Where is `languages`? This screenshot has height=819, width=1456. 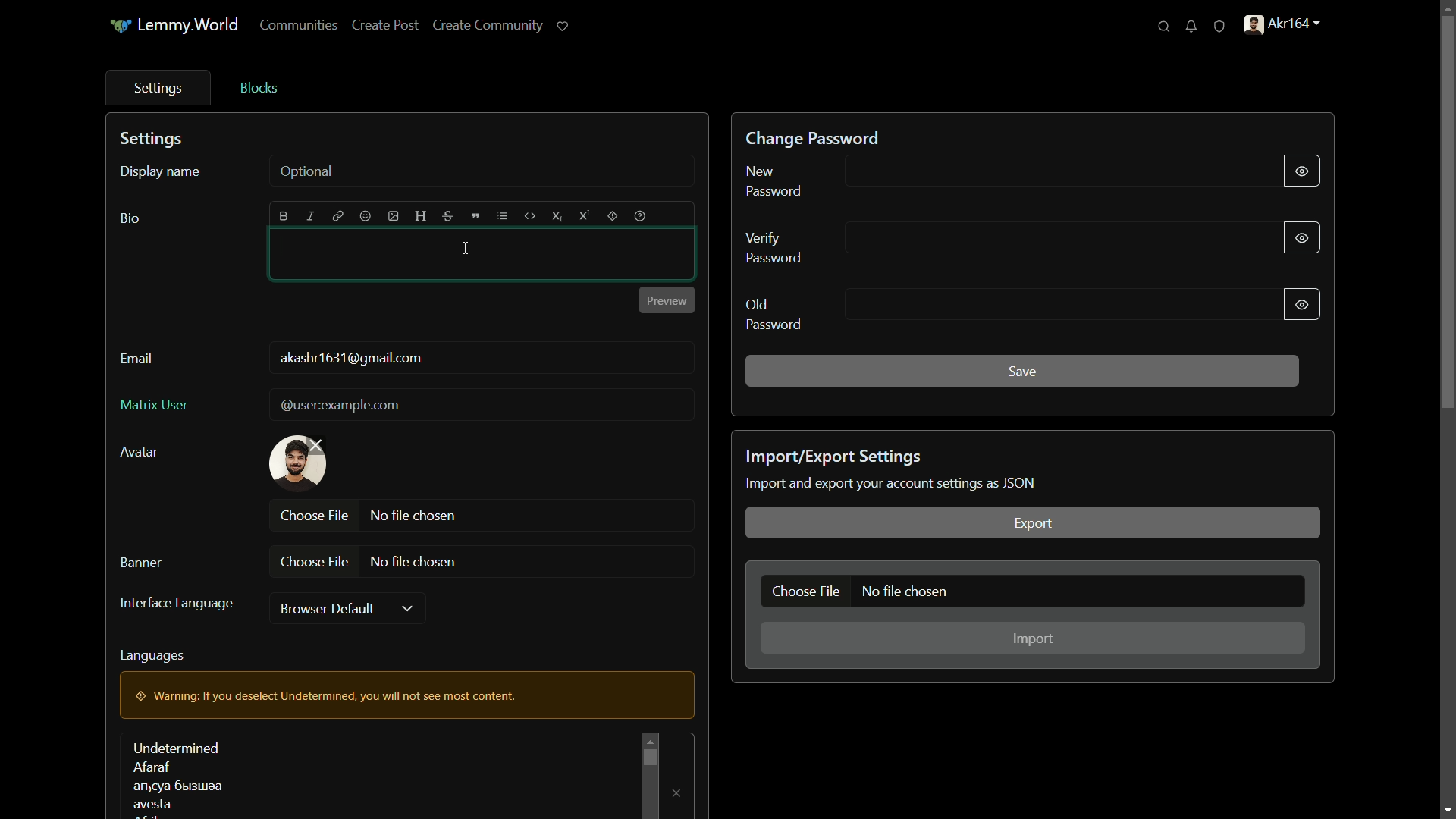
languages is located at coordinates (152, 657).